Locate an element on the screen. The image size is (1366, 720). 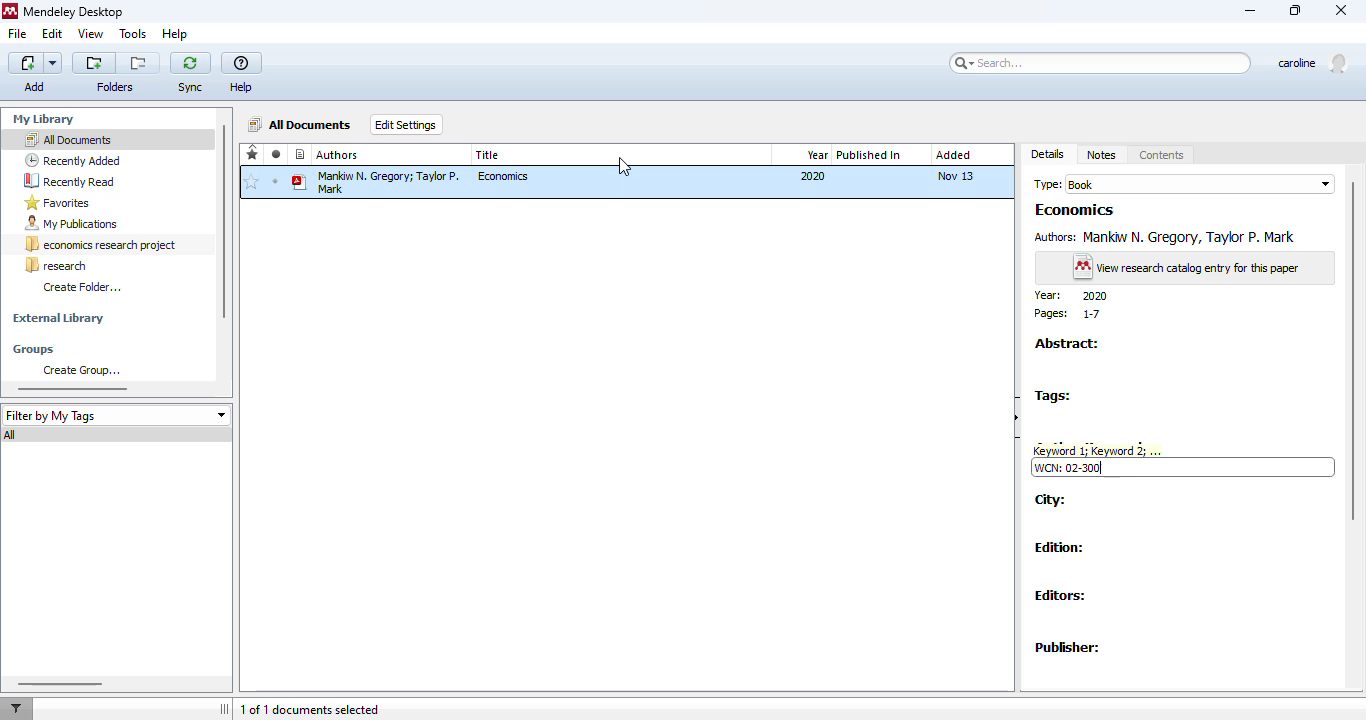
research is located at coordinates (56, 265).